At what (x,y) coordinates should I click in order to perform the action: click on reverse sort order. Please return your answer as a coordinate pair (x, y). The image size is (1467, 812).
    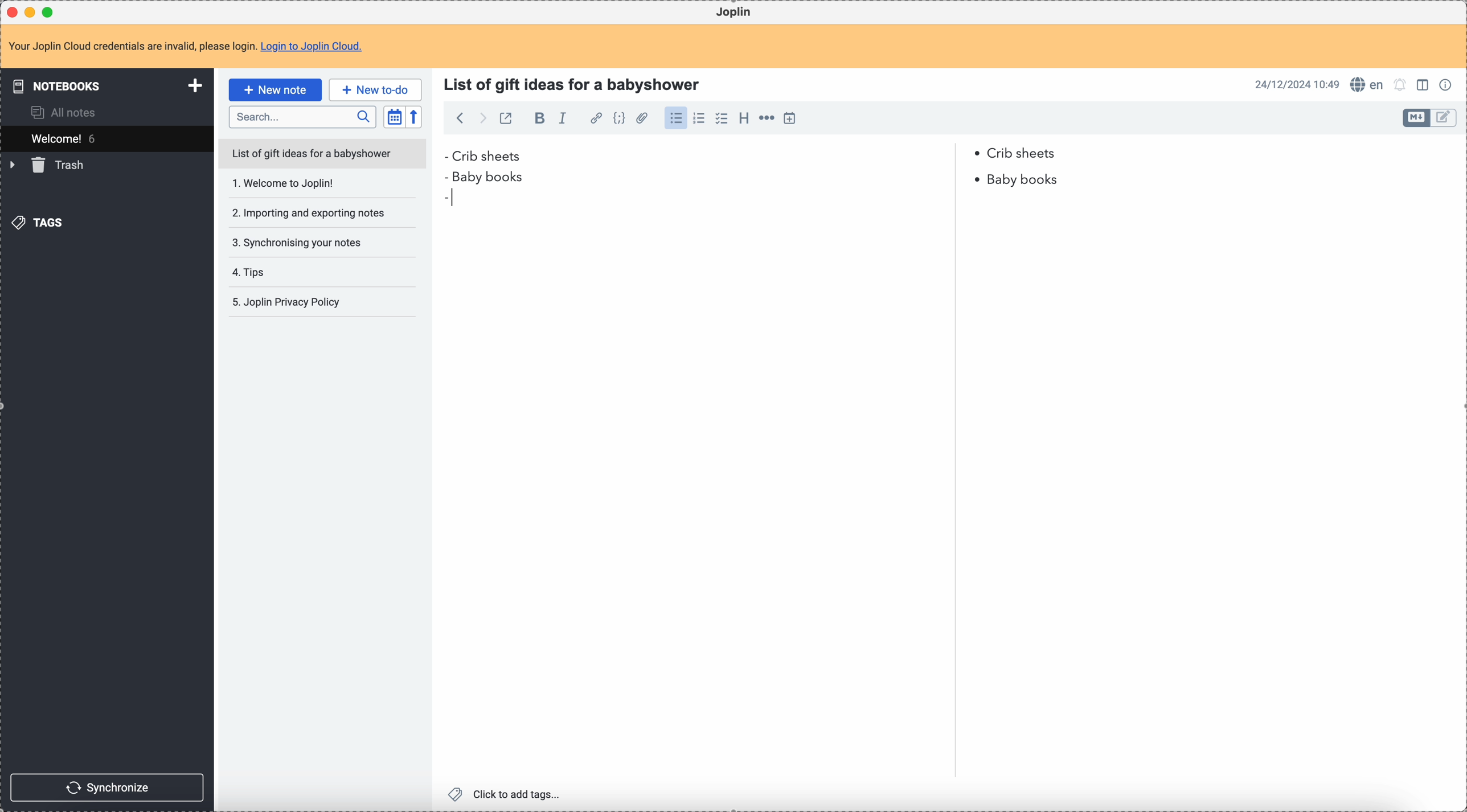
    Looking at the image, I should click on (413, 118).